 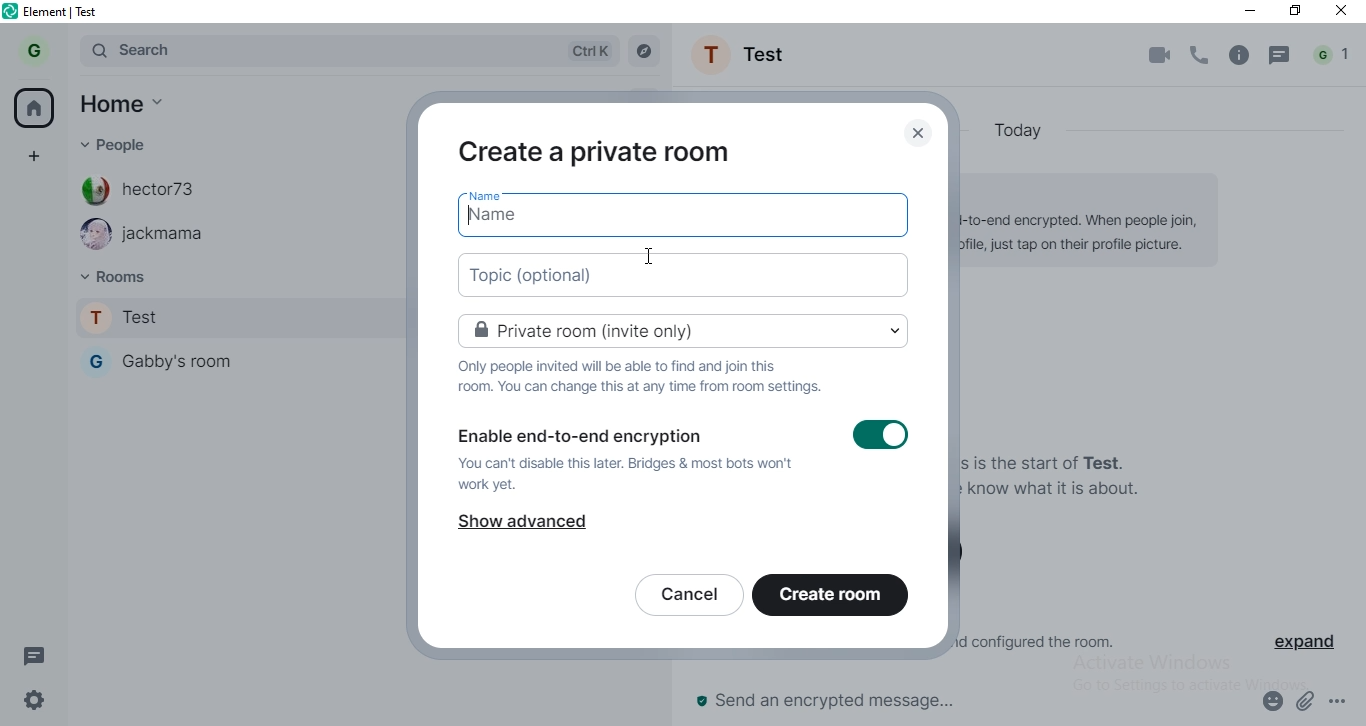 What do you see at coordinates (1023, 127) in the screenshot?
I see `today` at bounding box center [1023, 127].